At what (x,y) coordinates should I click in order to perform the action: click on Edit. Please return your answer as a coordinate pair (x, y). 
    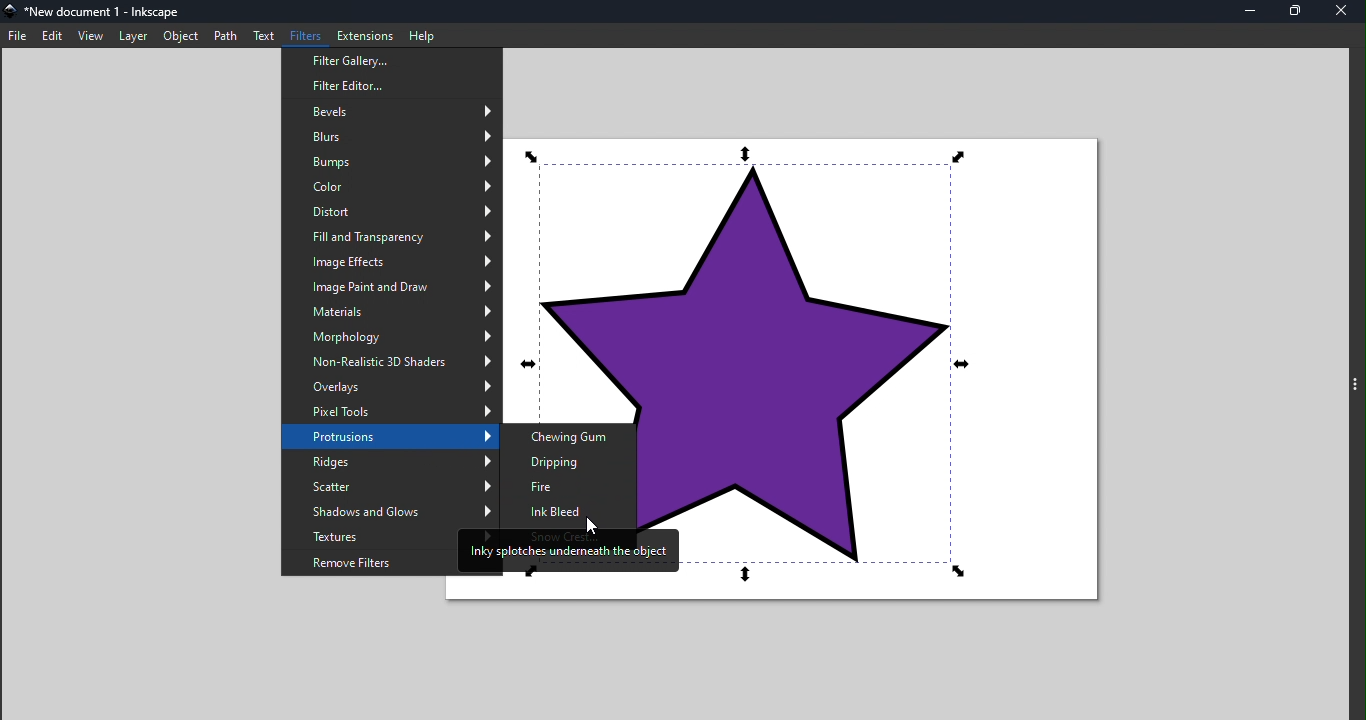
    Looking at the image, I should click on (52, 35).